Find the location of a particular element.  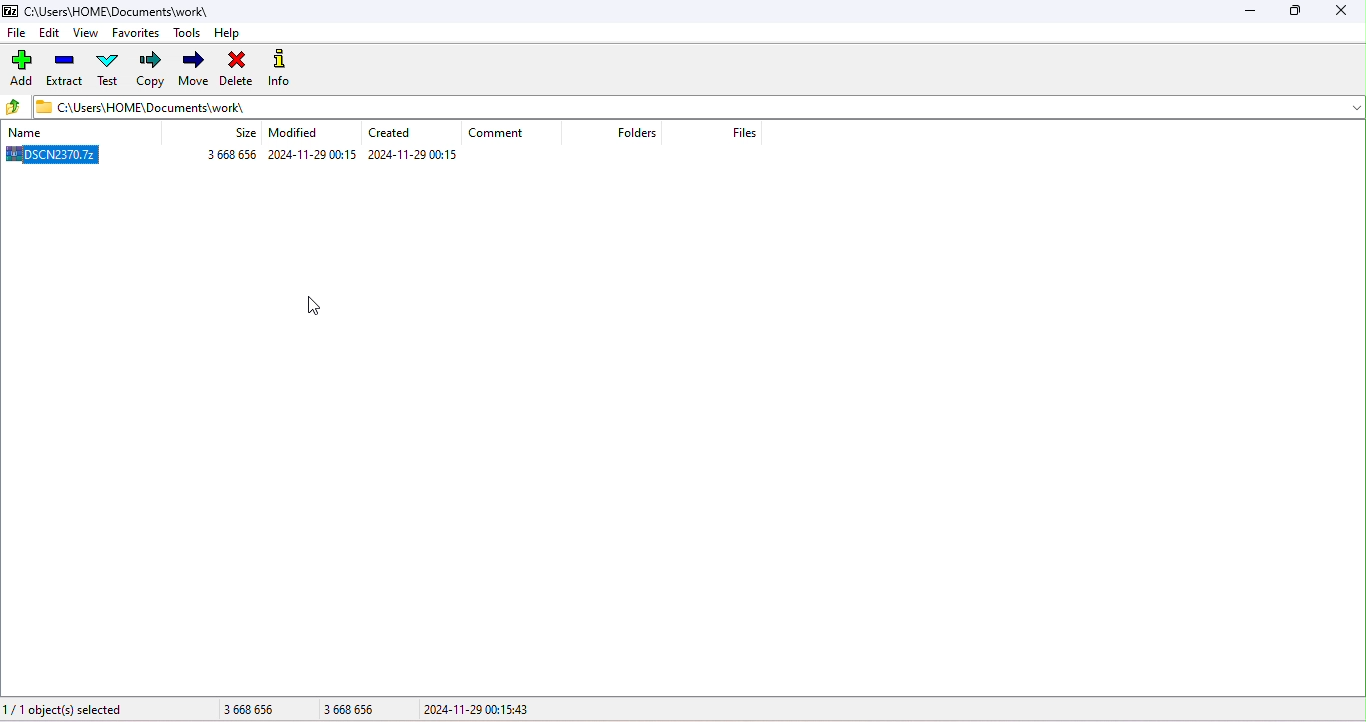

edit is located at coordinates (50, 33).